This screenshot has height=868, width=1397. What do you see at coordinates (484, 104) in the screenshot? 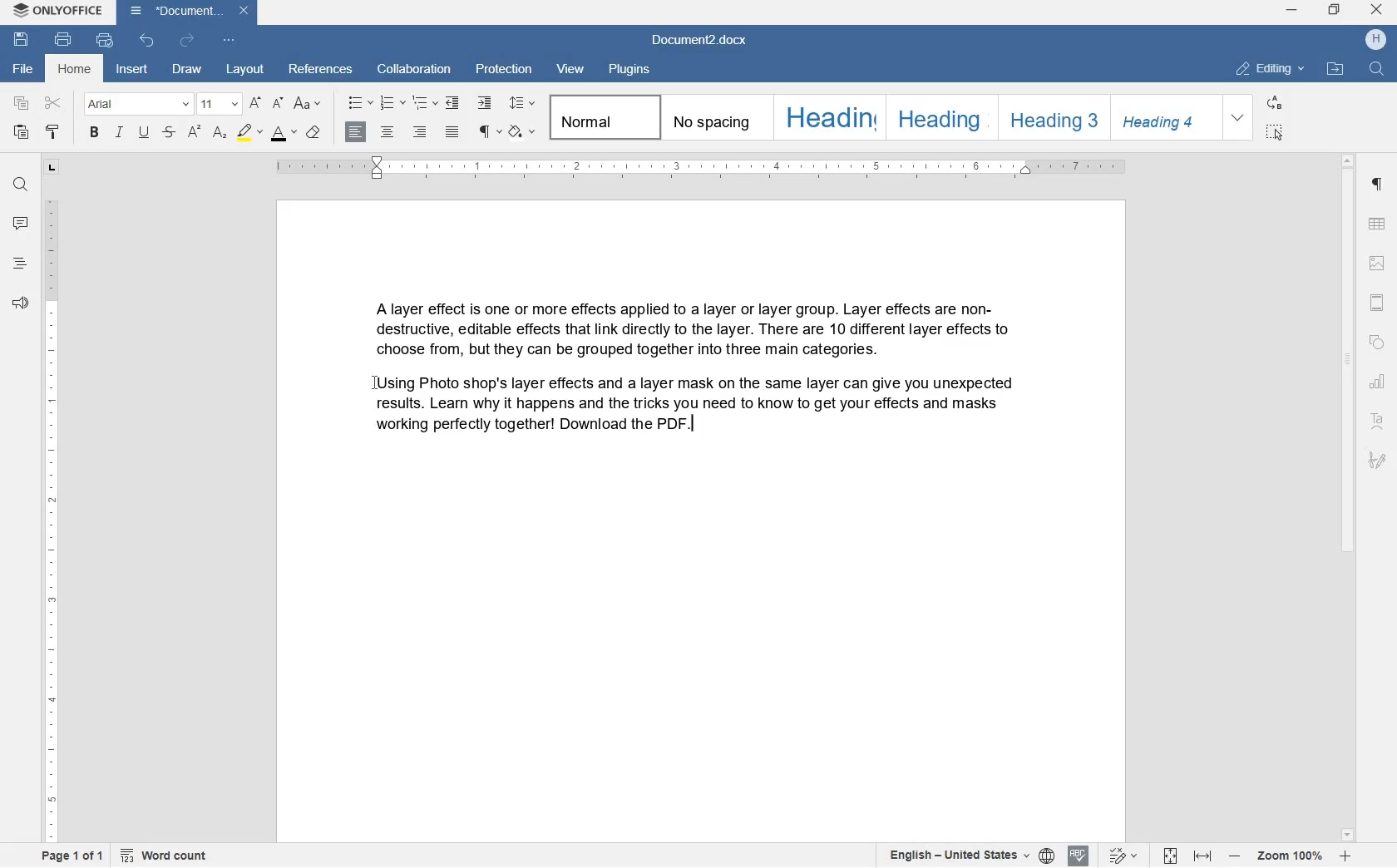
I see `INCREASE INDENT` at bounding box center [484, 104].